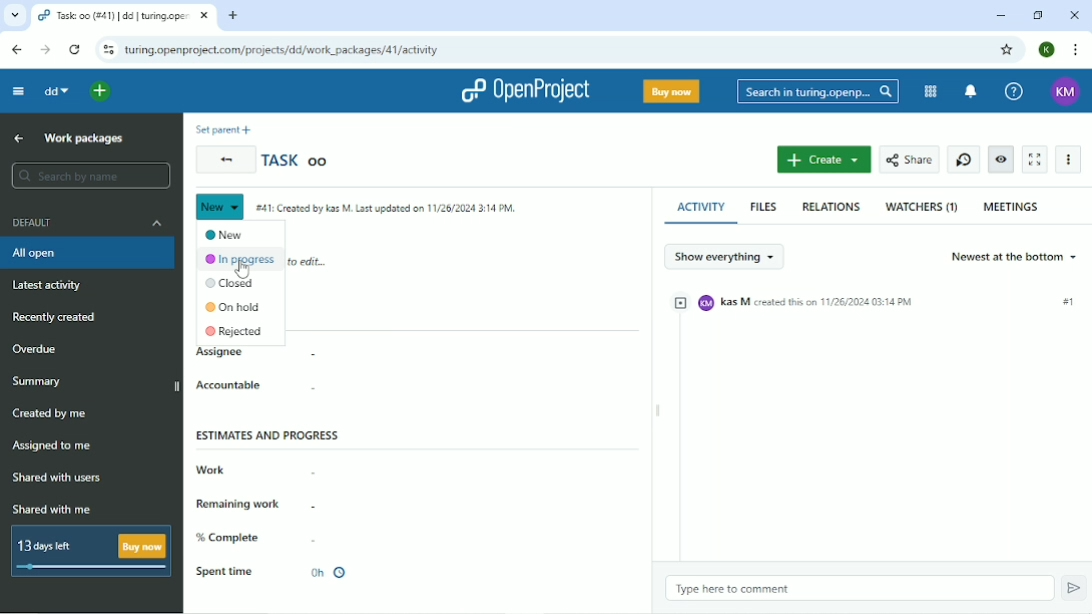 The height and width of the screenshot is (614, 1092). Describe the element at coordinates (1070, 158) in the screenshot. I see `More` at that location.